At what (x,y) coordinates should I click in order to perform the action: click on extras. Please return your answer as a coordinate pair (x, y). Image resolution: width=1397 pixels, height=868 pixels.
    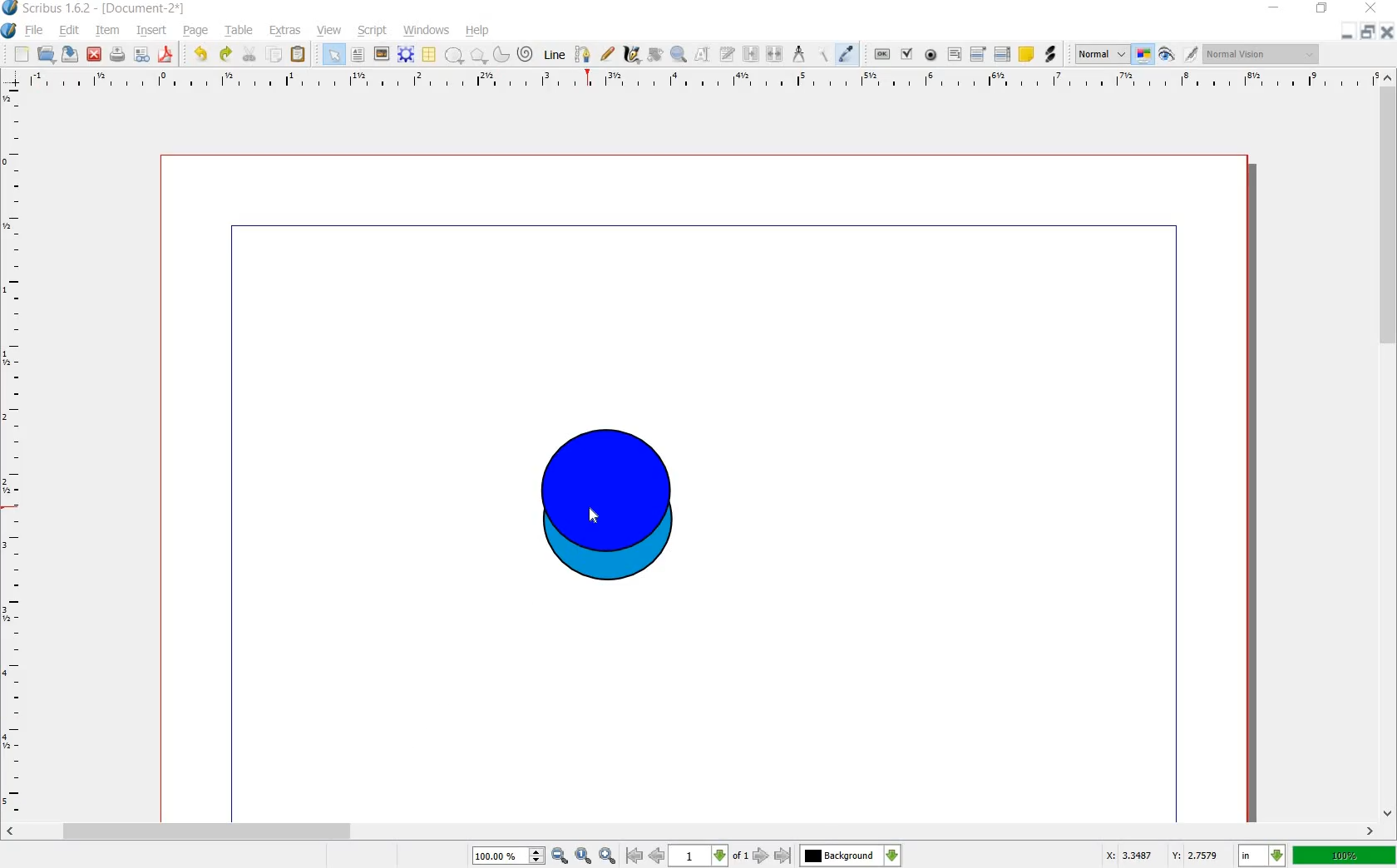
    Looking at the image, I should click on (285, 31).